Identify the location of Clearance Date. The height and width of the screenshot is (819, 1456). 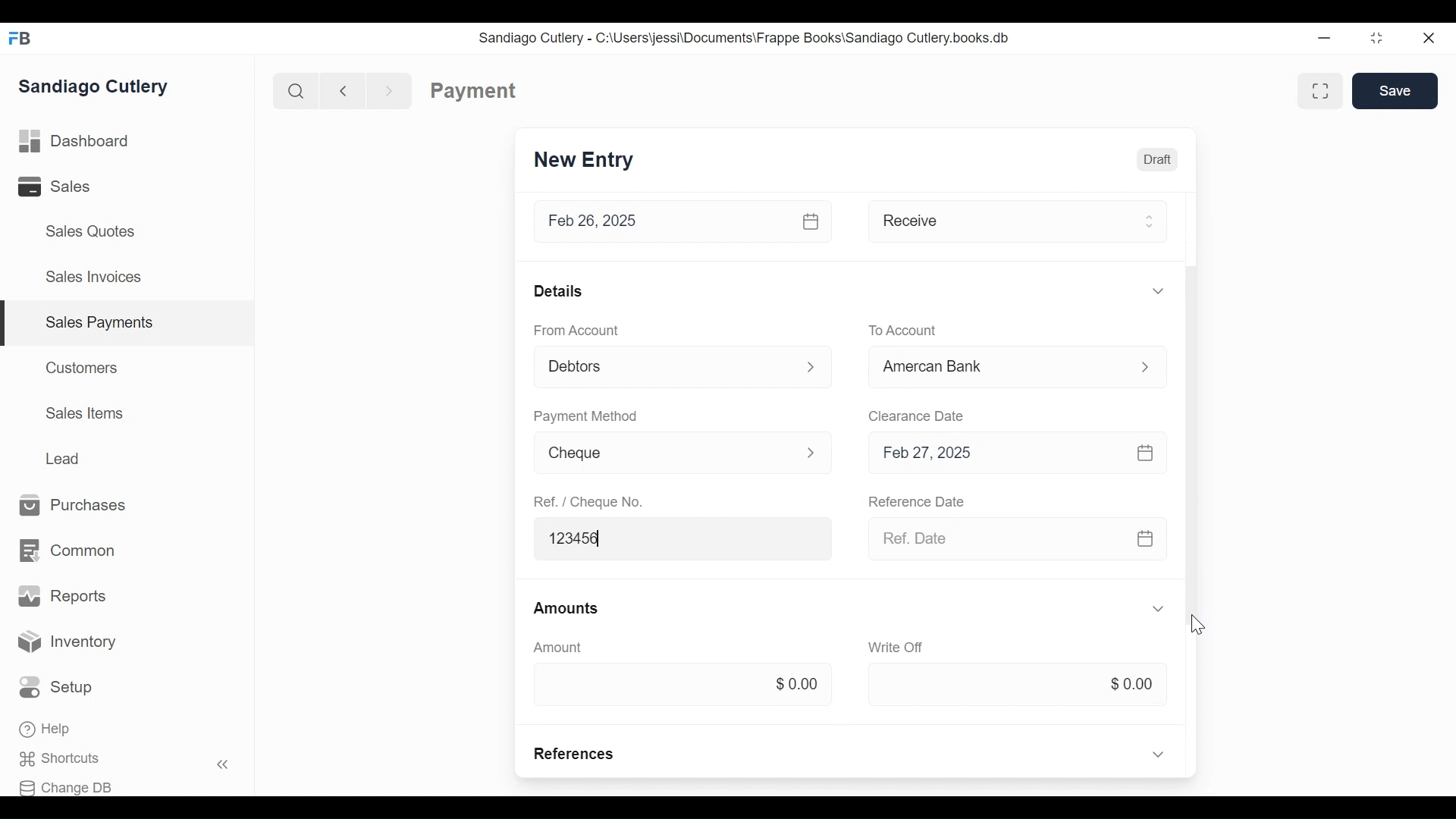
(917, 415).